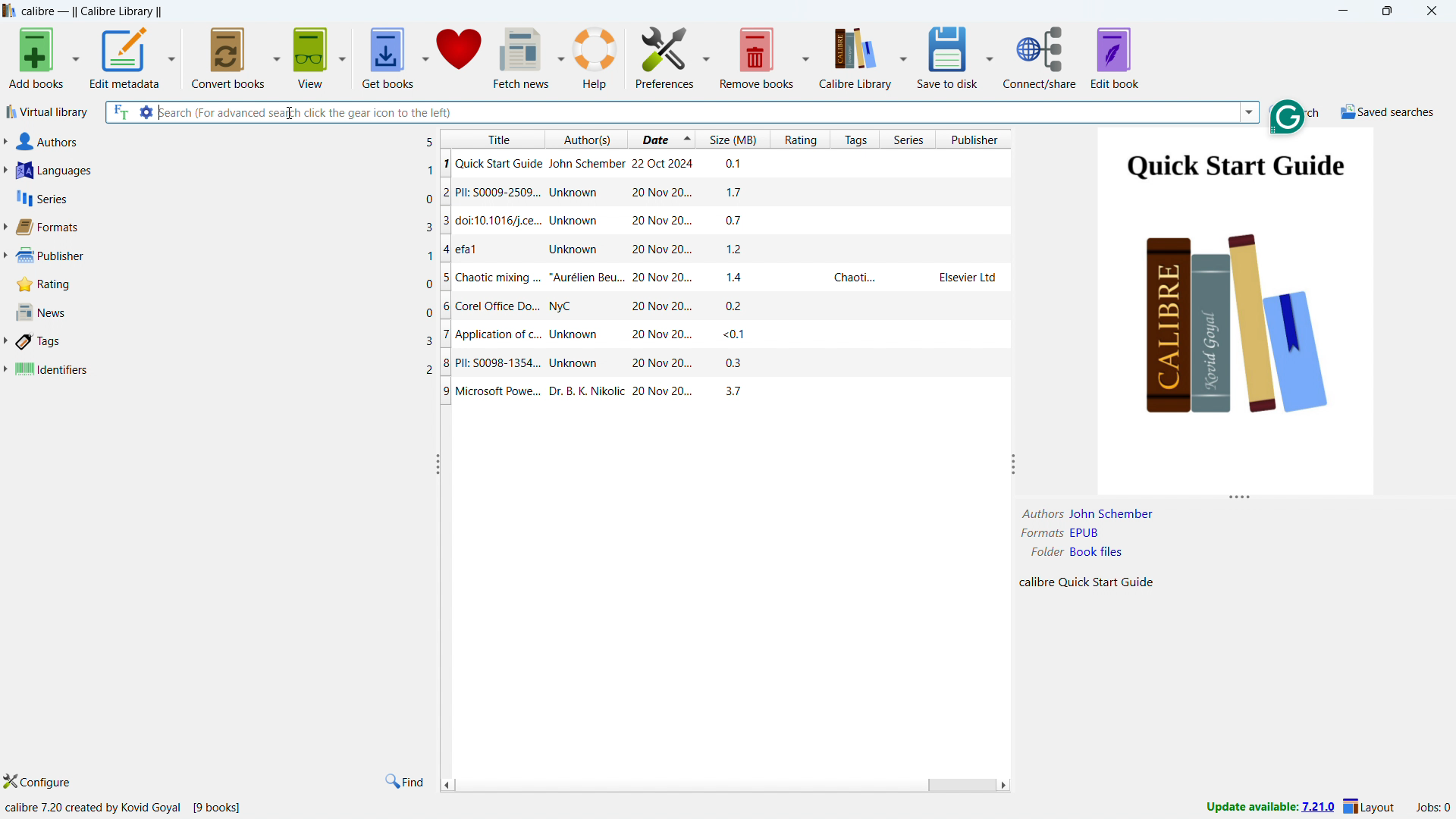 This screenshot has height=819, width=1456. Describe the element at coordinates (225, 171) in the screenshot. I see `languages` at that location.